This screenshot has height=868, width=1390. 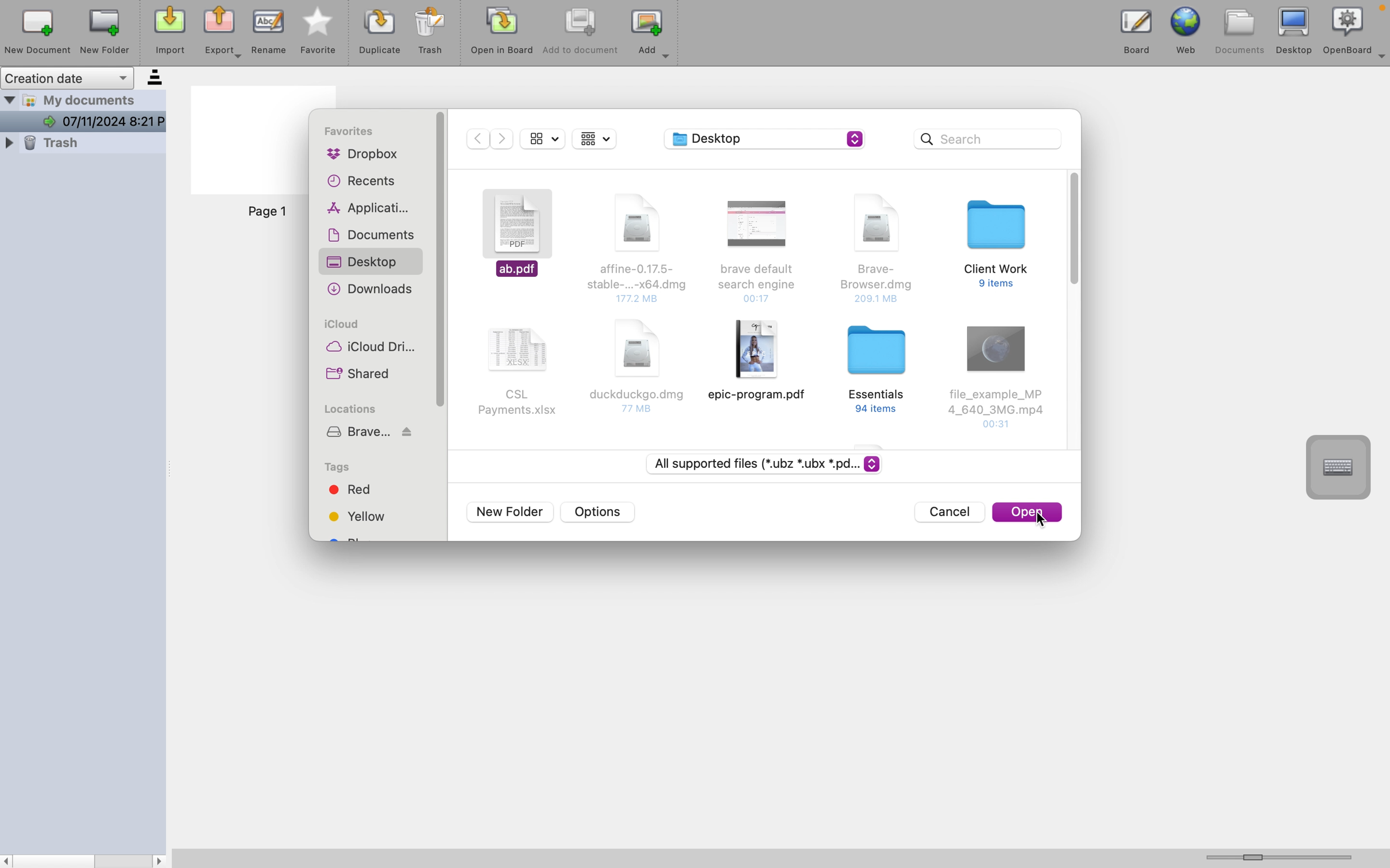 I want to click on applications, so click(x=364, y=207).